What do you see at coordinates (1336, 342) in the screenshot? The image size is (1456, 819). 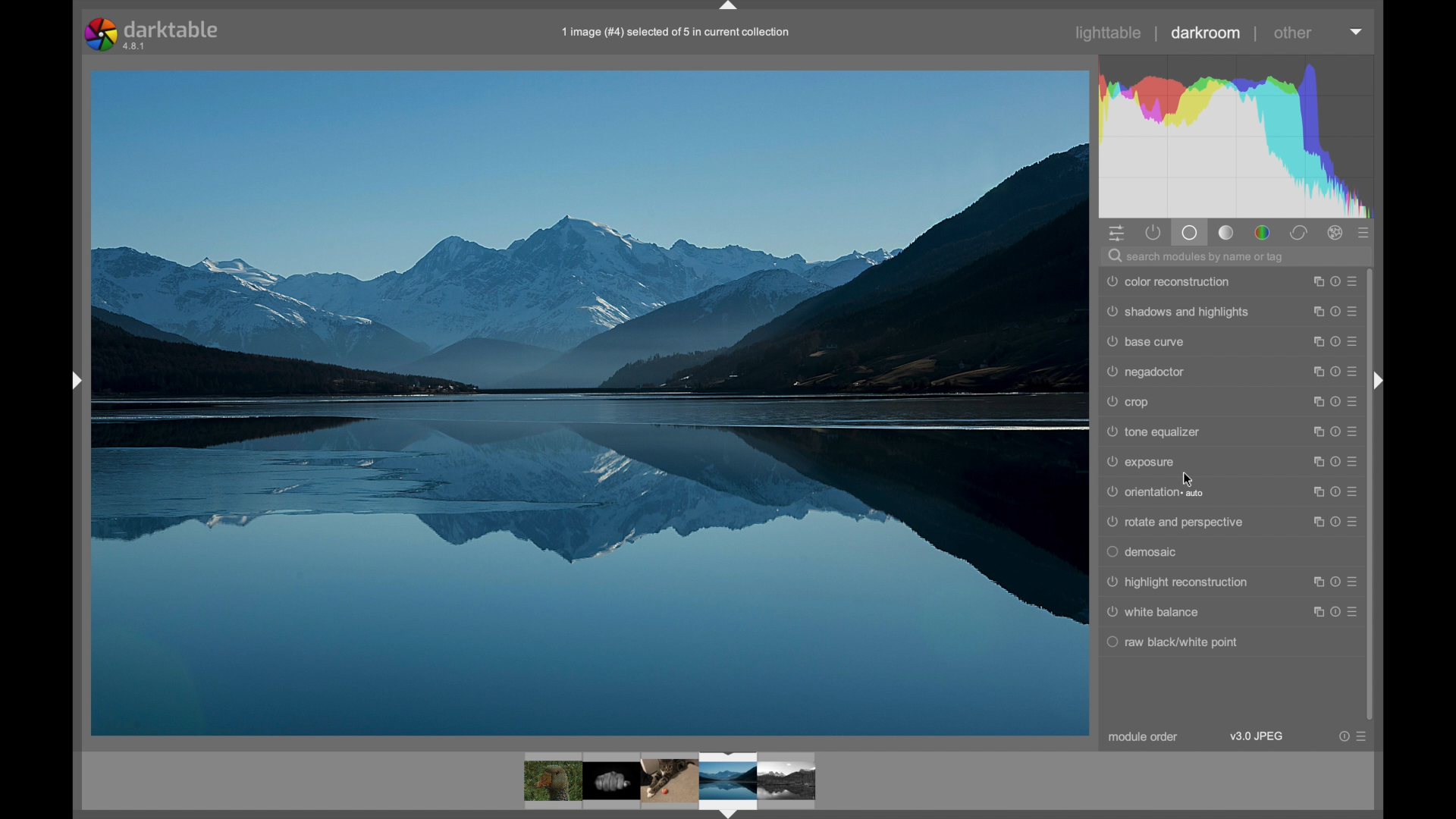 I see `more options` at bounding box center [1336, 342].